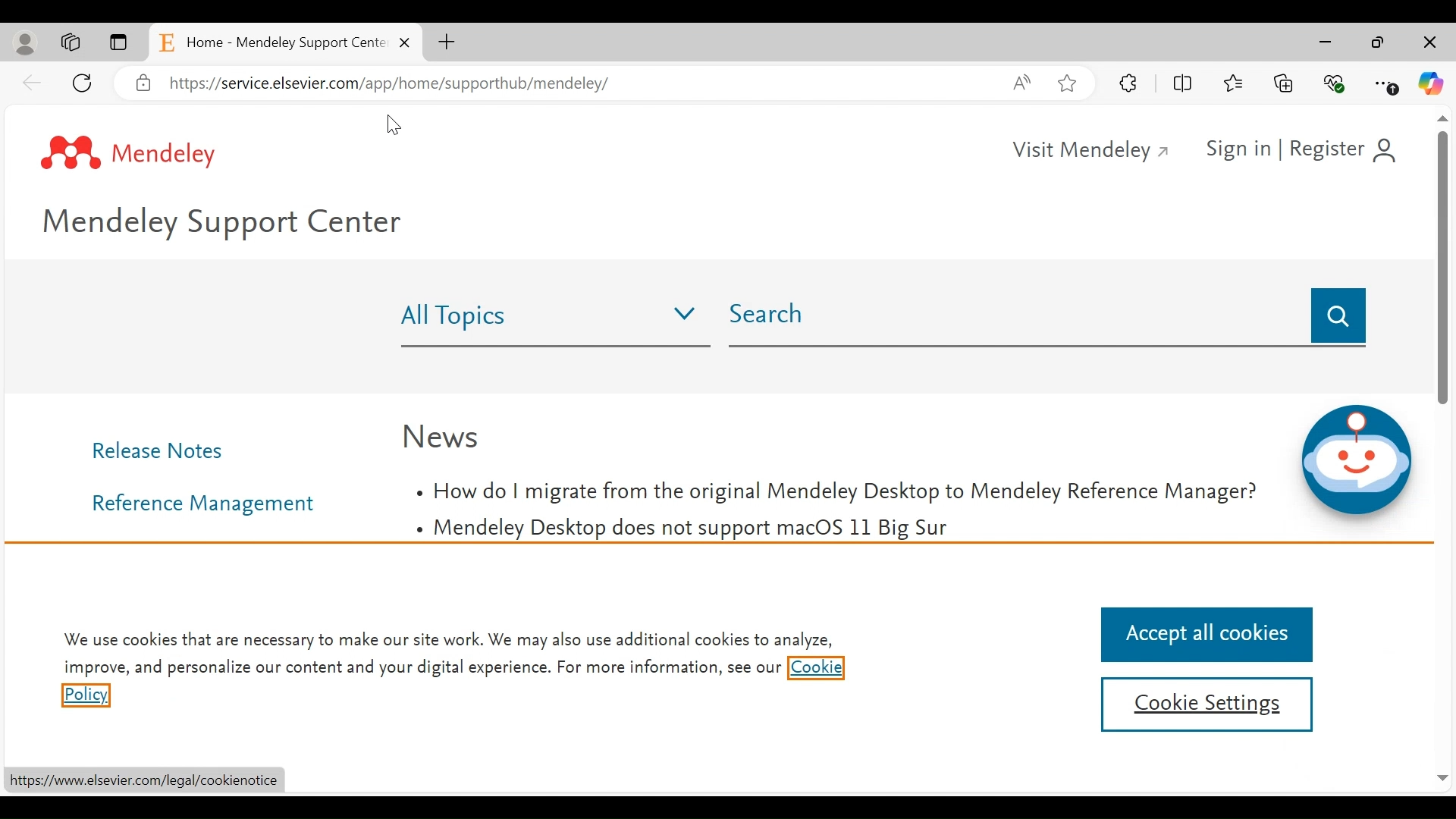  Describe the element at coordinates (120, 42) in the screenshot. I see `Tab Action menu` at that location.